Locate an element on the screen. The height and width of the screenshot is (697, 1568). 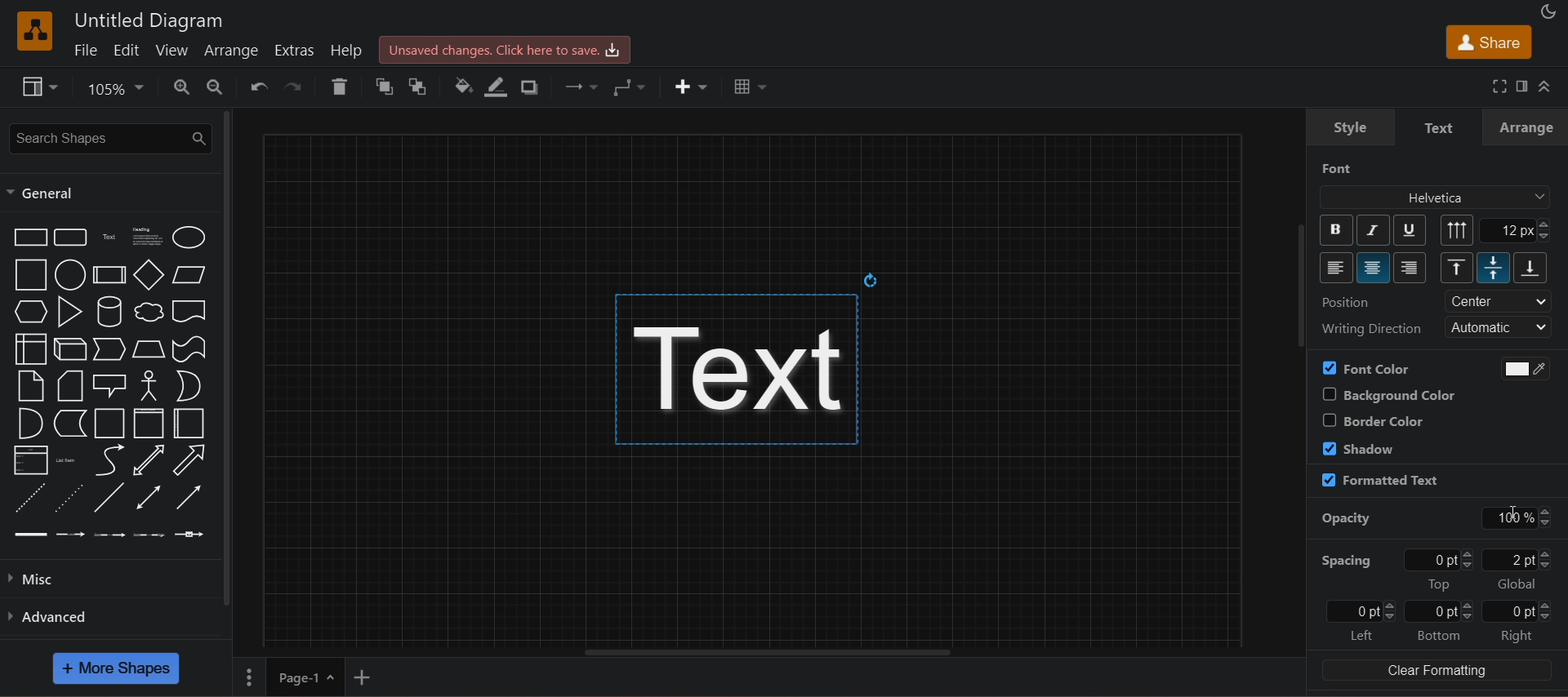
opacity is located at coordinates (1347, 519).